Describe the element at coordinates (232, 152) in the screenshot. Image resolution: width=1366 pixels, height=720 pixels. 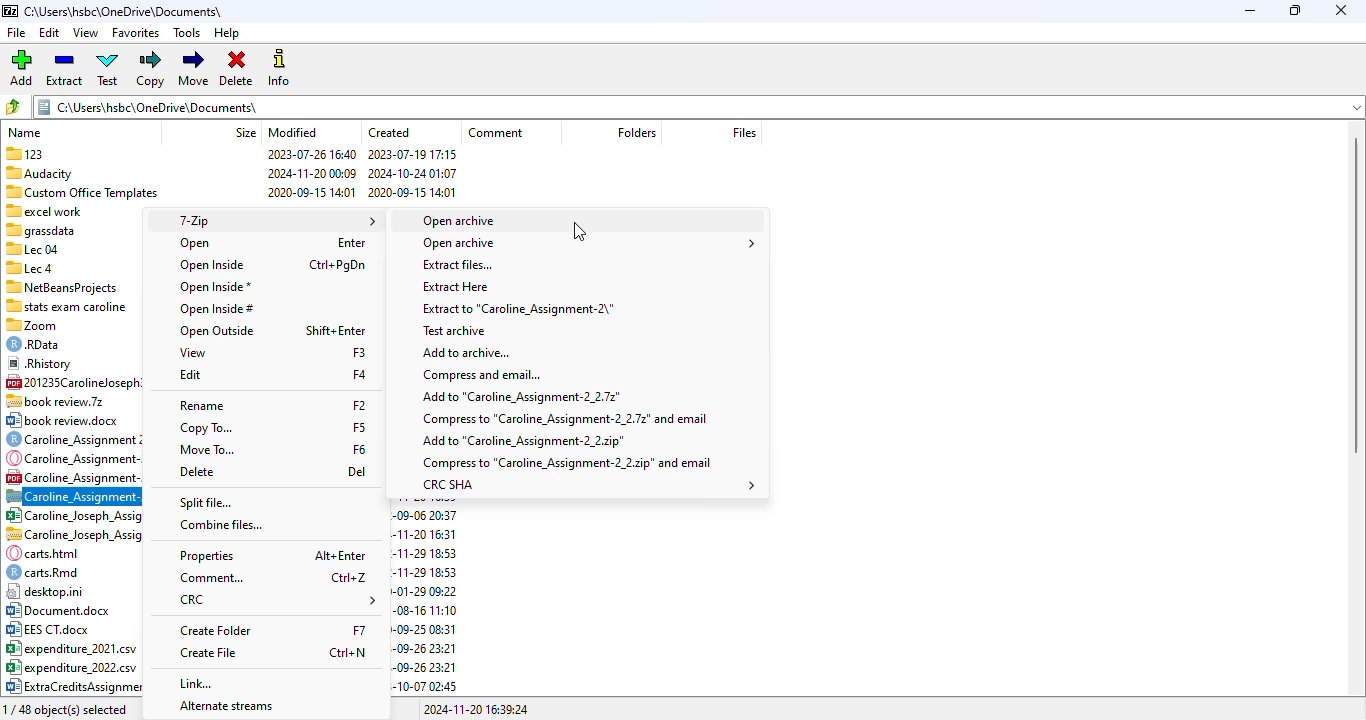
I see `123 2023-07-26 16:40 2023-07-19 17:15` at that location.